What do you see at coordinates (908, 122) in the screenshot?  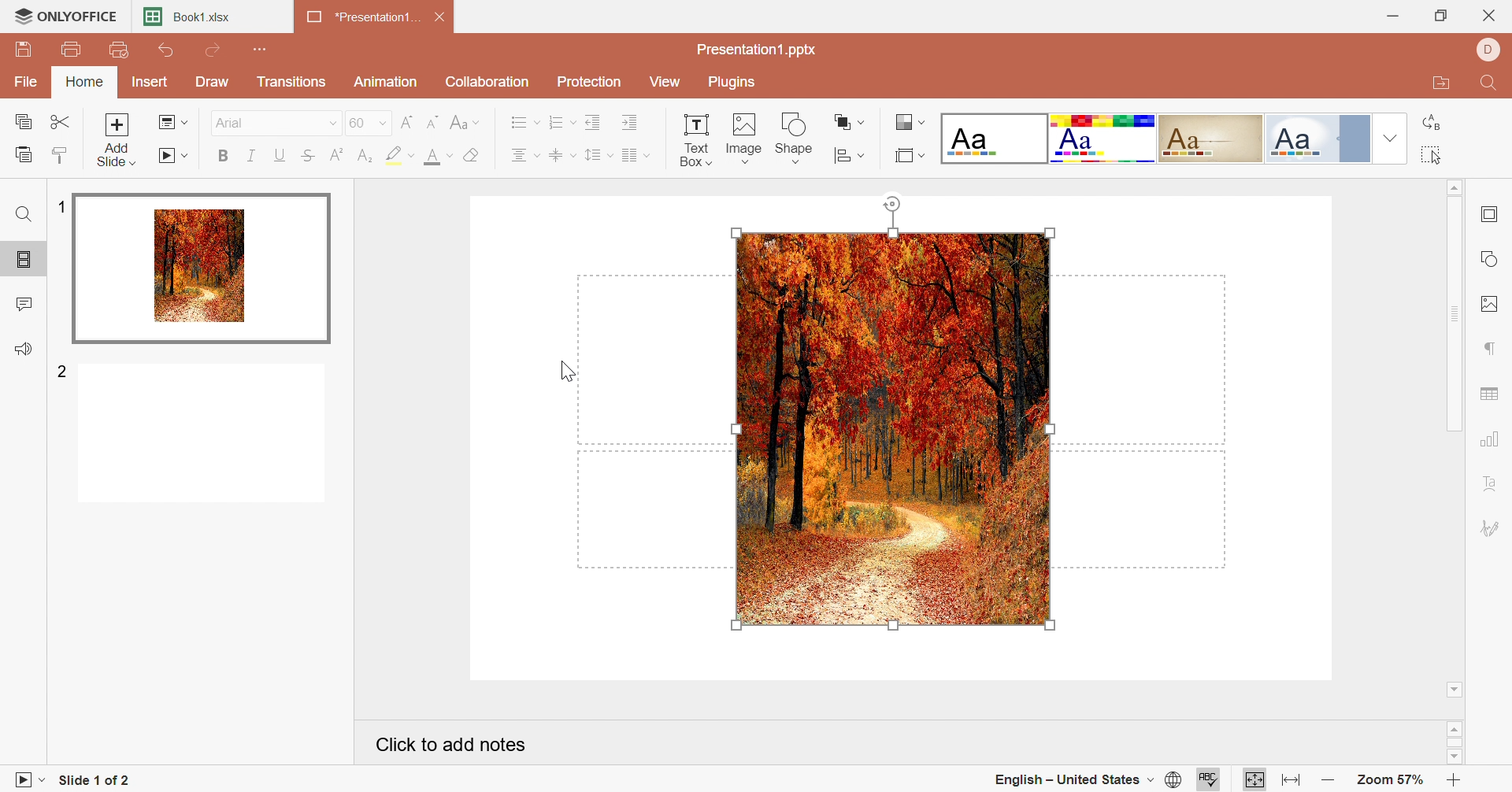 I see `Change color theme` at bounding box center [908, 122].